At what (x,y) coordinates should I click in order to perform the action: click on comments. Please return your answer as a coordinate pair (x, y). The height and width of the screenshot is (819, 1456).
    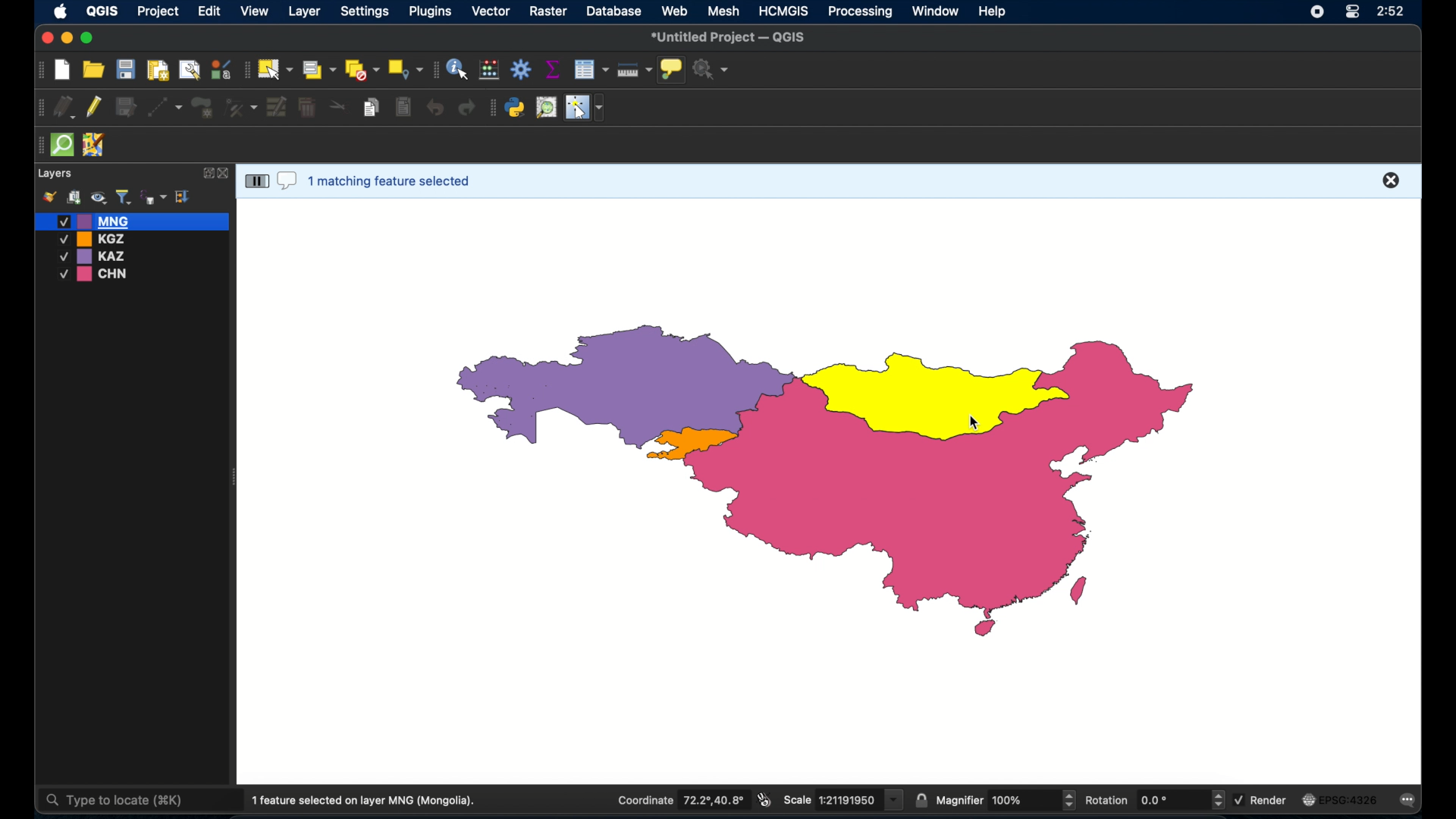
    Looking at the image, I should click on (287, 182).